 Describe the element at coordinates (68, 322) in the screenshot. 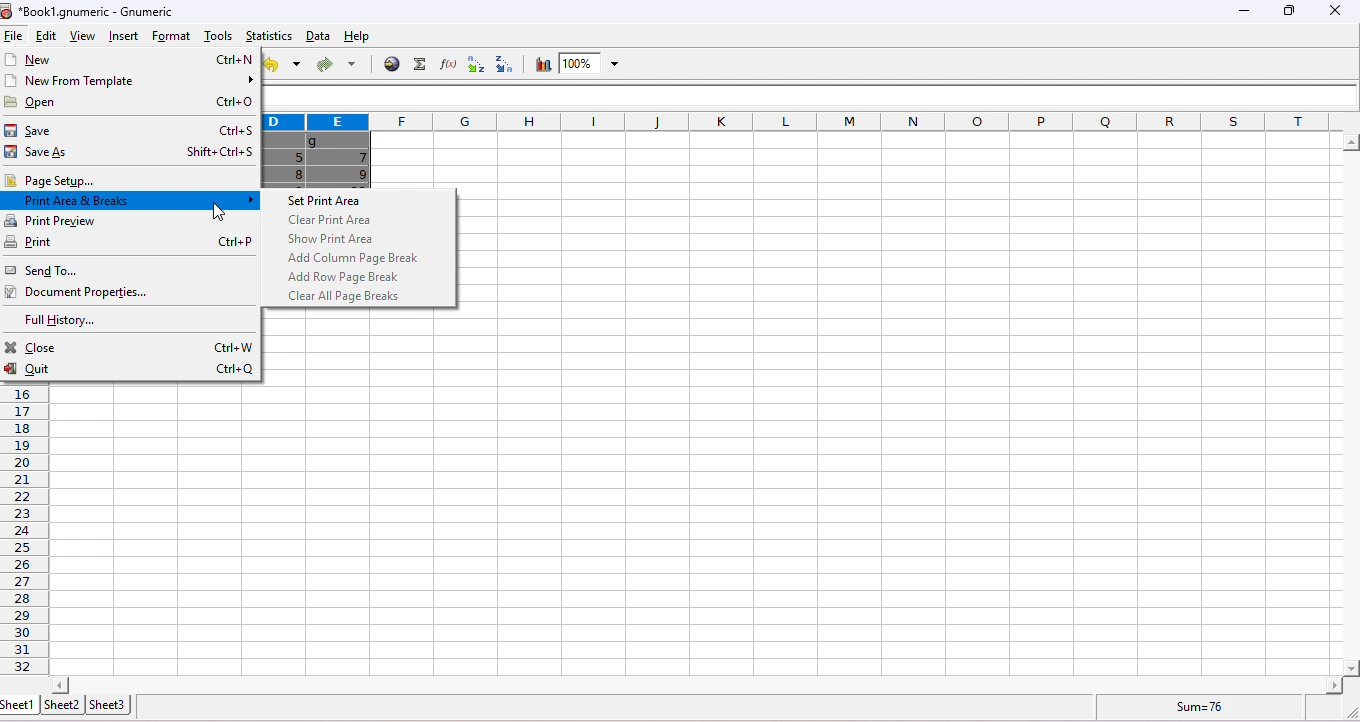

I see `full history` at that location.